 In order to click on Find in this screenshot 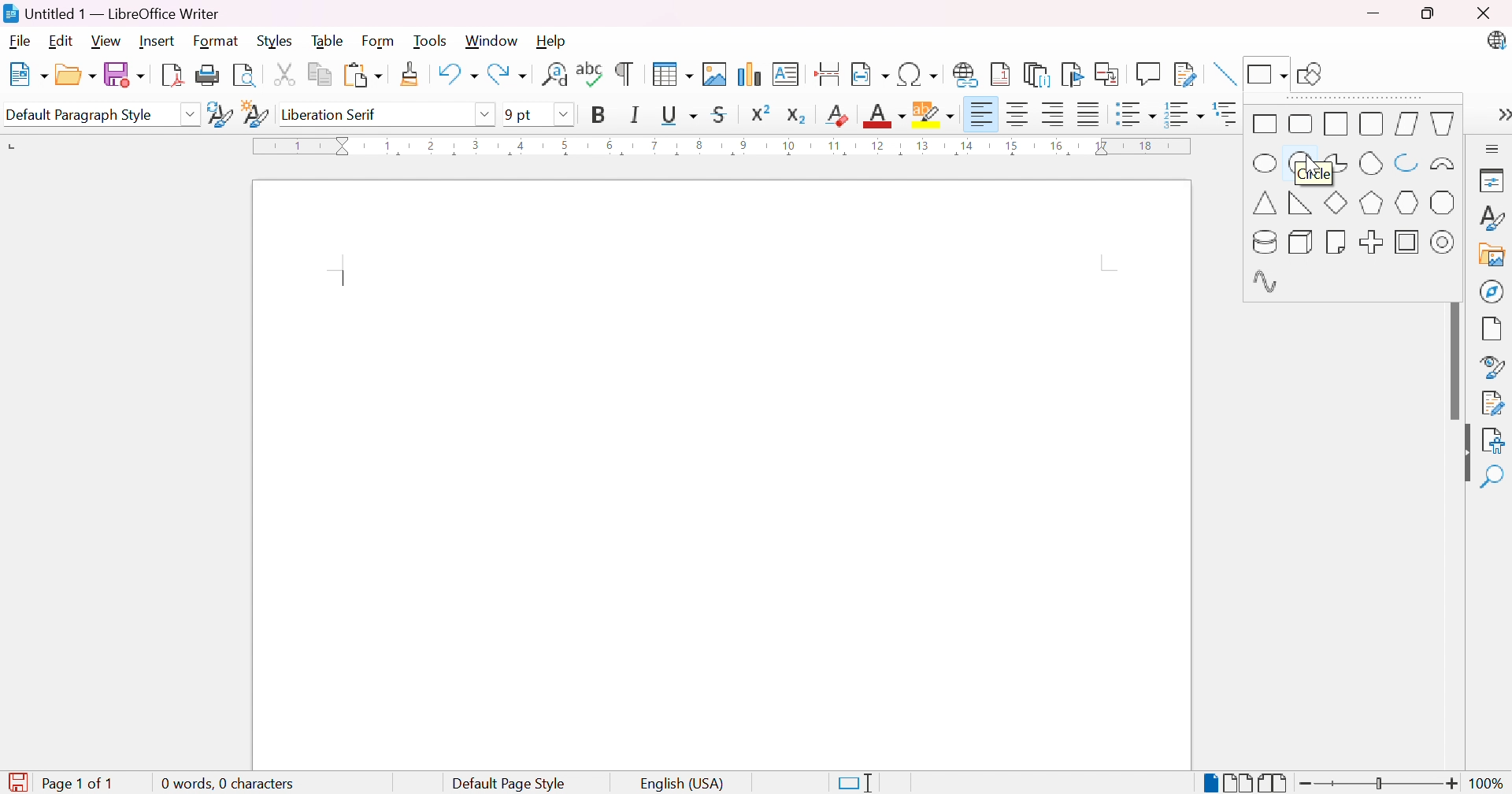, I will do `click(1491, 477)`.